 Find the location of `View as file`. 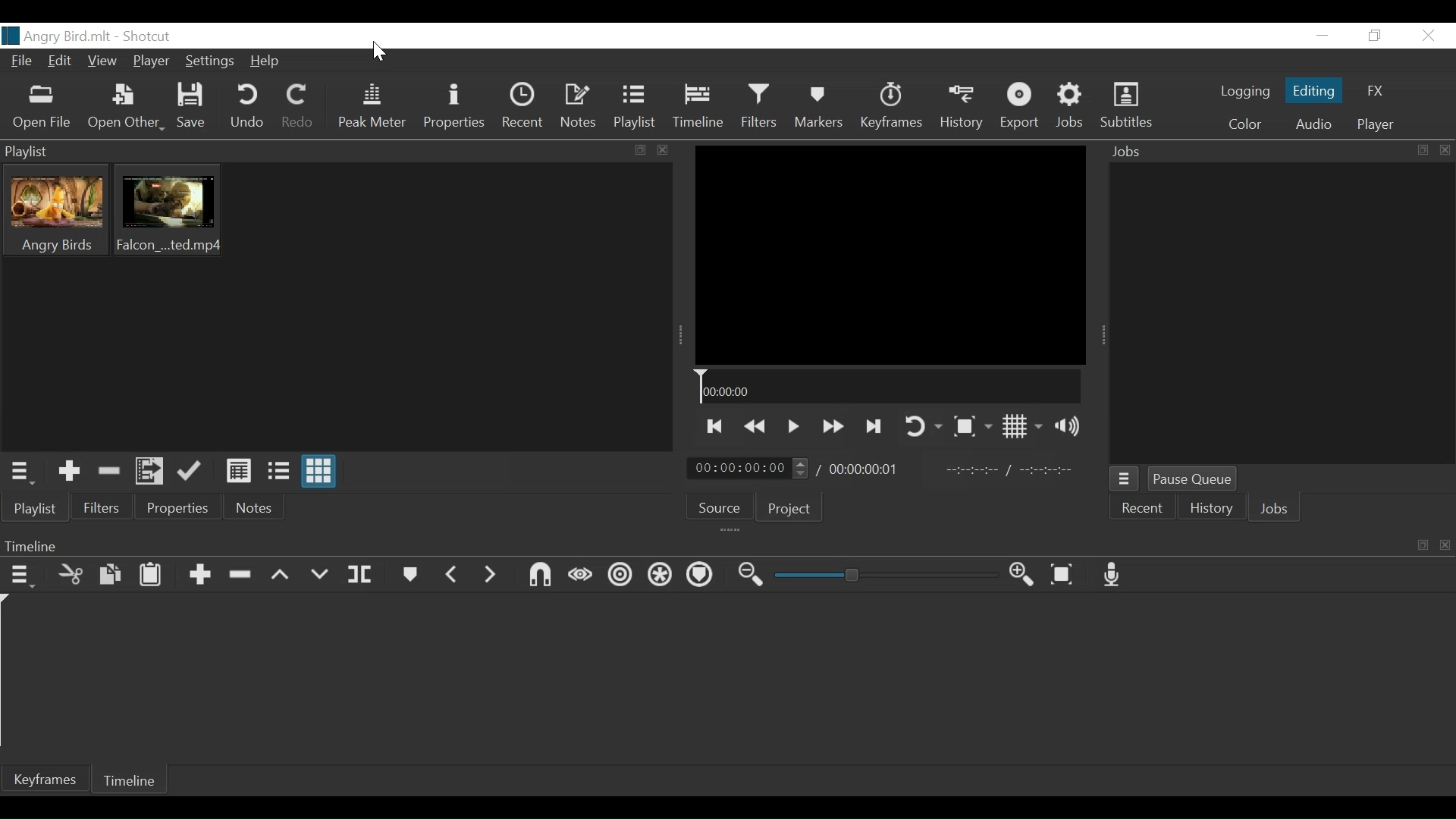

View as file is located at coordinates (279, 472).